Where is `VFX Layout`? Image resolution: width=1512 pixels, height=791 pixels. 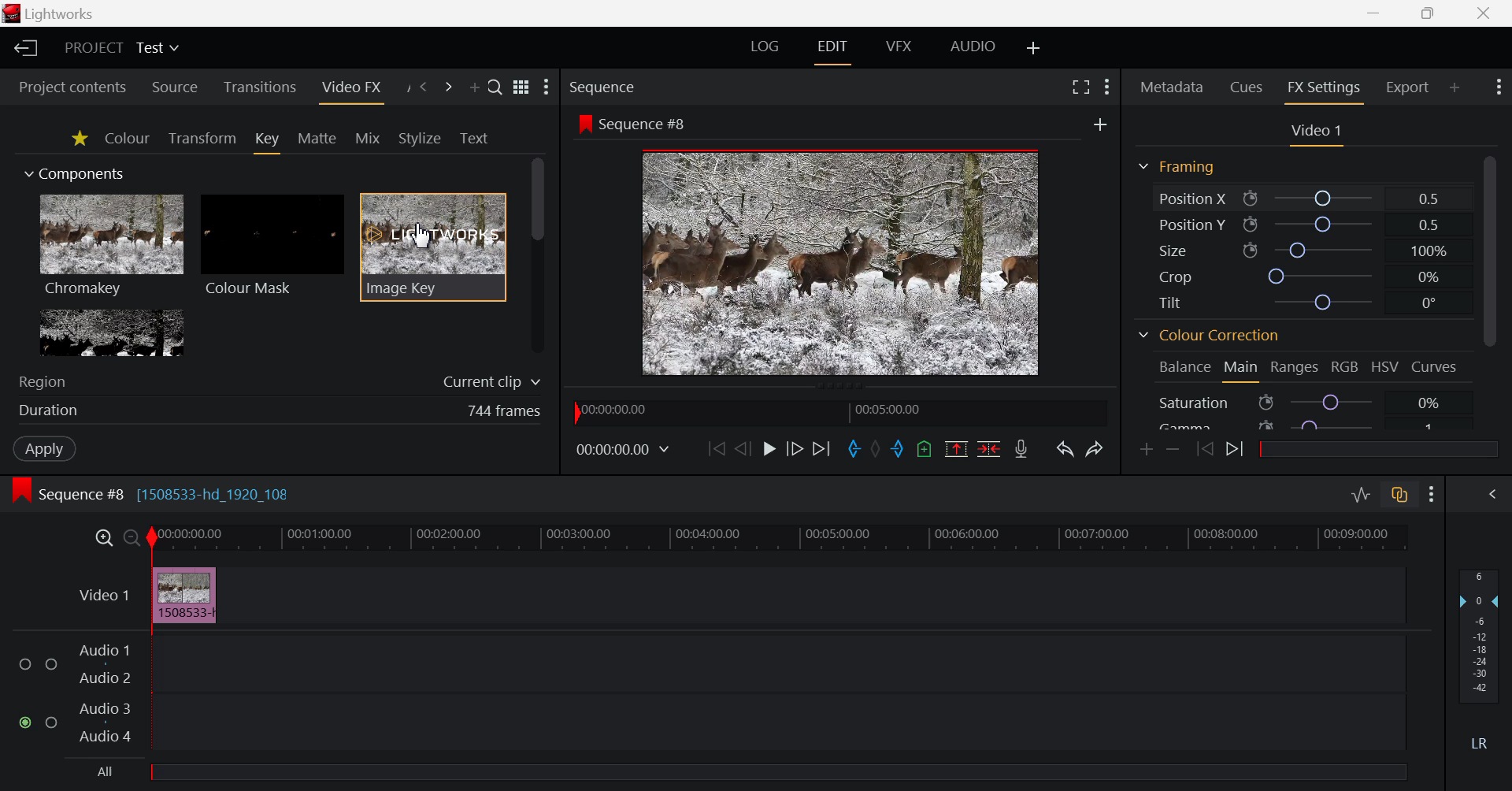 VFX Layout is located at coordinates (897, 49).